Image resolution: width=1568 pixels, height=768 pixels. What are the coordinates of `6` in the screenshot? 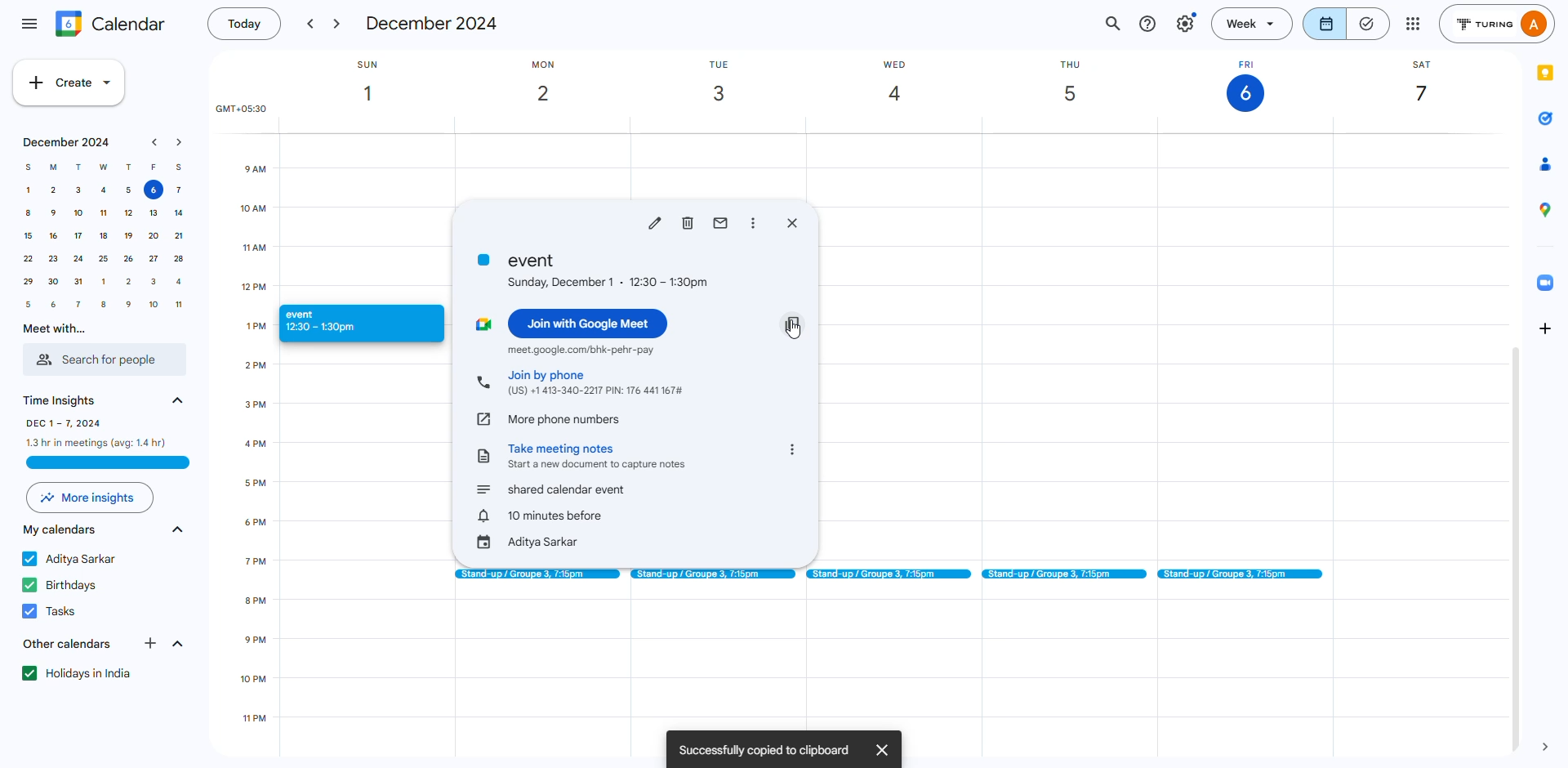 It's located at (55, 305).